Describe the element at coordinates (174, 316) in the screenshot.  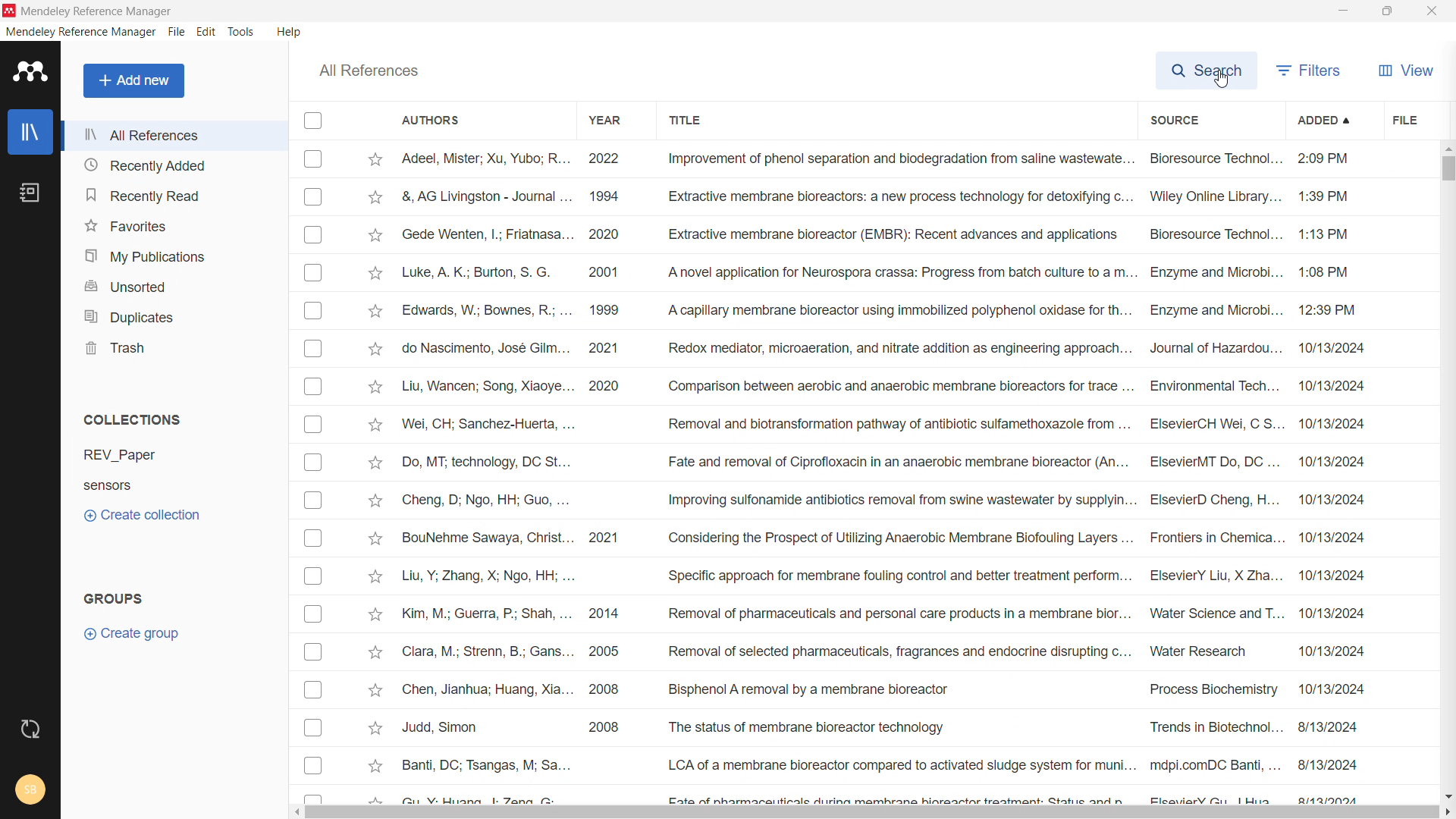
I see `duplicates` at that location.